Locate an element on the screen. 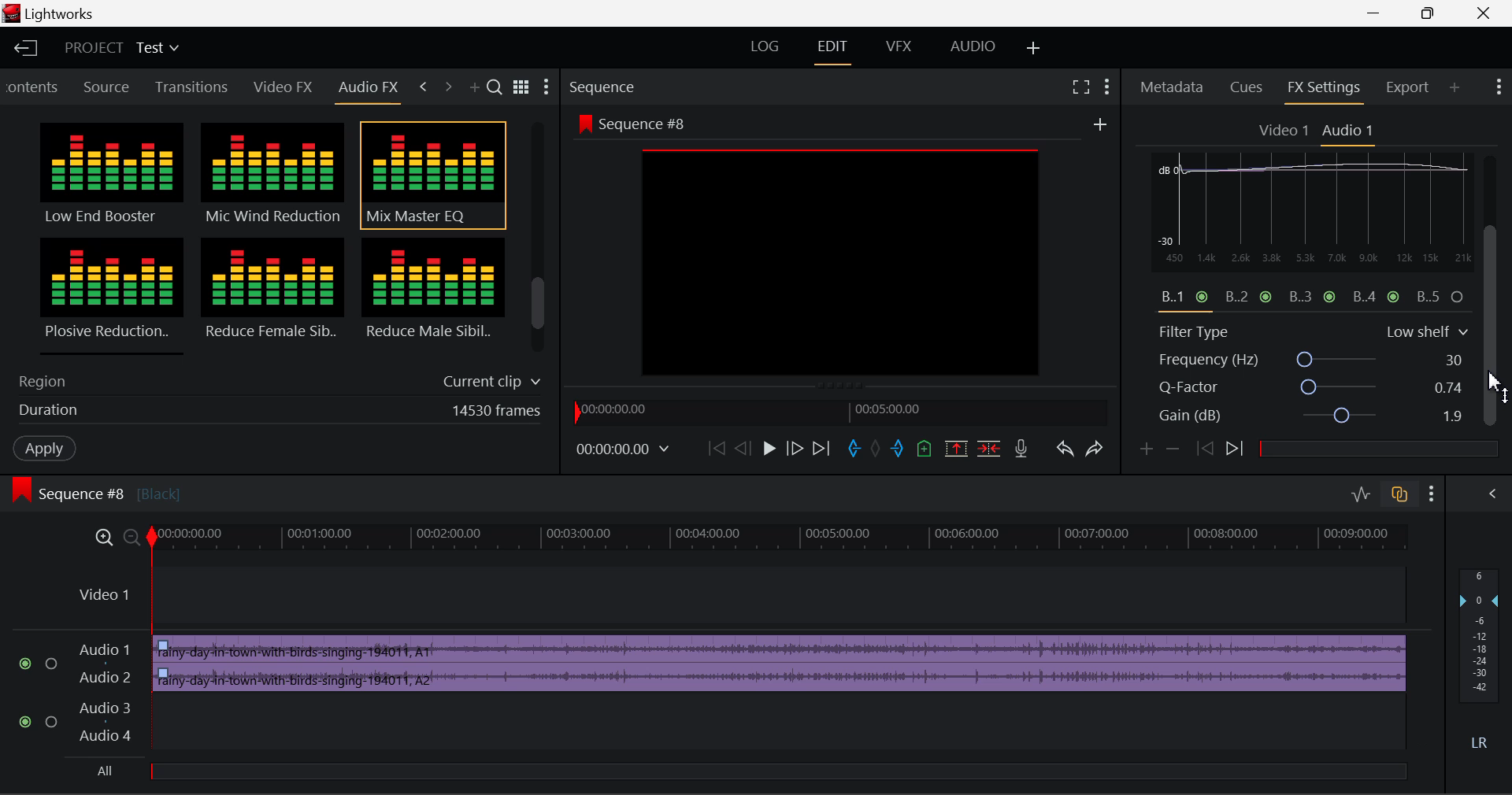 This screenshot has width=1512, height=795. Search is located at coordinates (497, 88).